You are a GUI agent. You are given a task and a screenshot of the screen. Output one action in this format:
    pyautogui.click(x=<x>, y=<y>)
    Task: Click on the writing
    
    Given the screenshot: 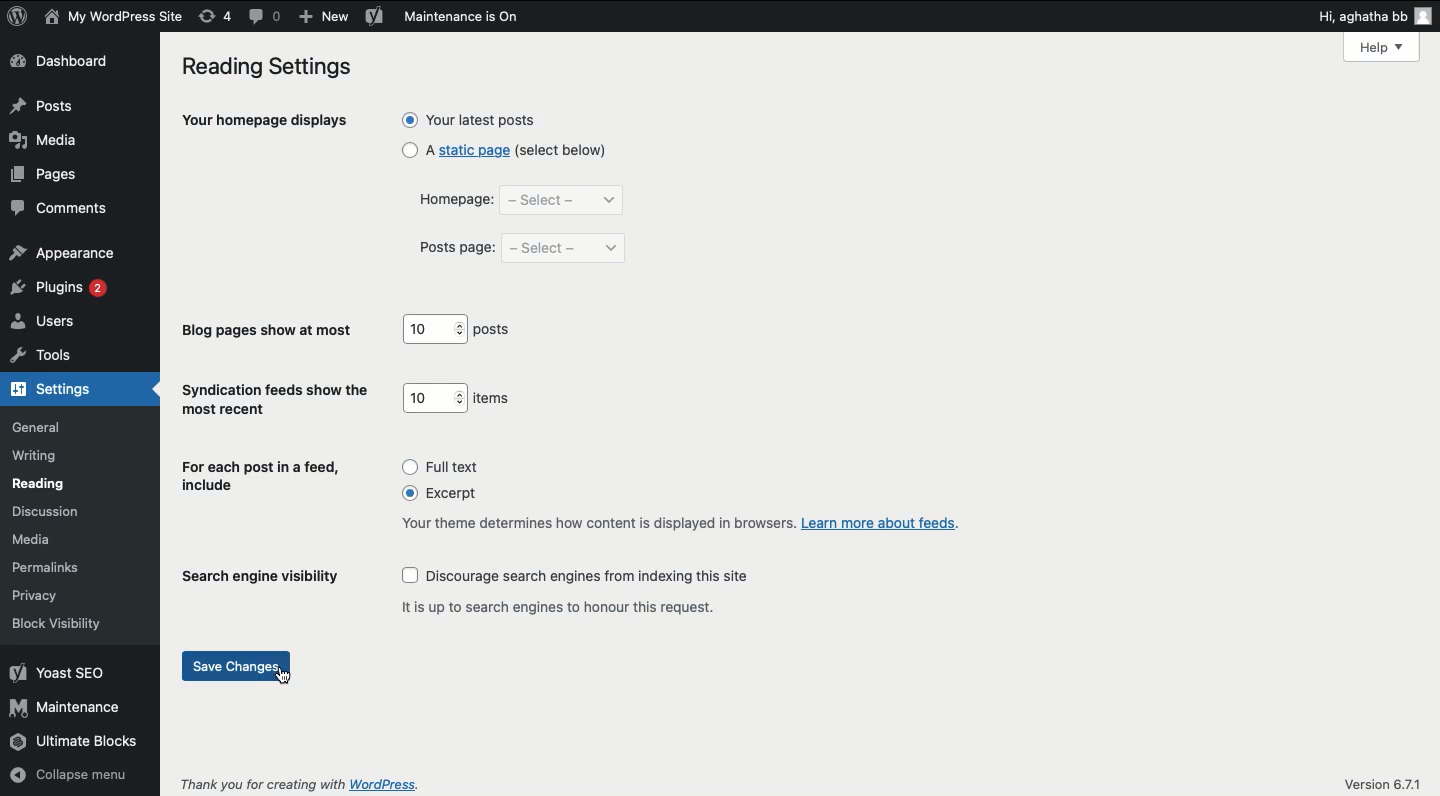 What is the action you would take?
    pyautogui.click(x=36, y=455)
    